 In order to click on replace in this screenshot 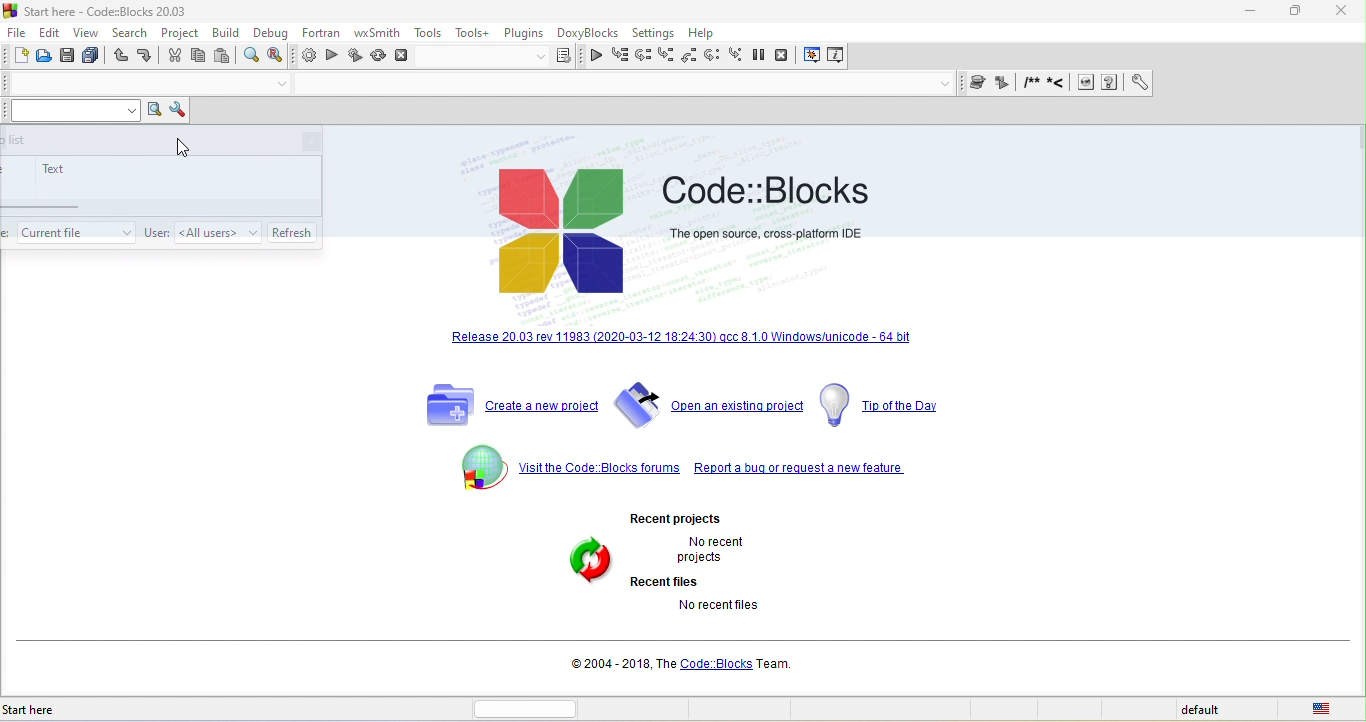, I will do `click(281, 57)`.